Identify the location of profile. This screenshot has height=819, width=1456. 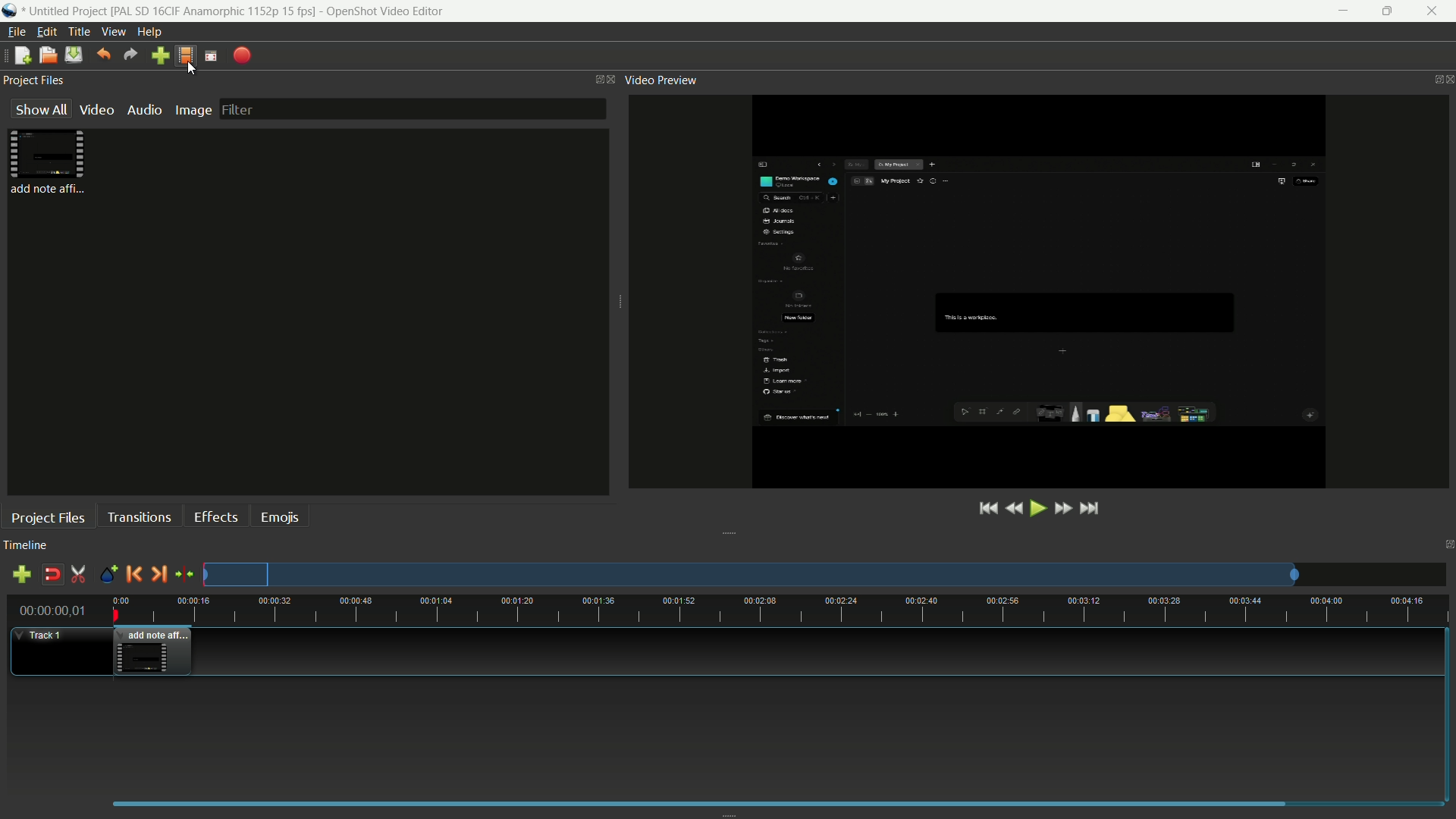
(215, 11).